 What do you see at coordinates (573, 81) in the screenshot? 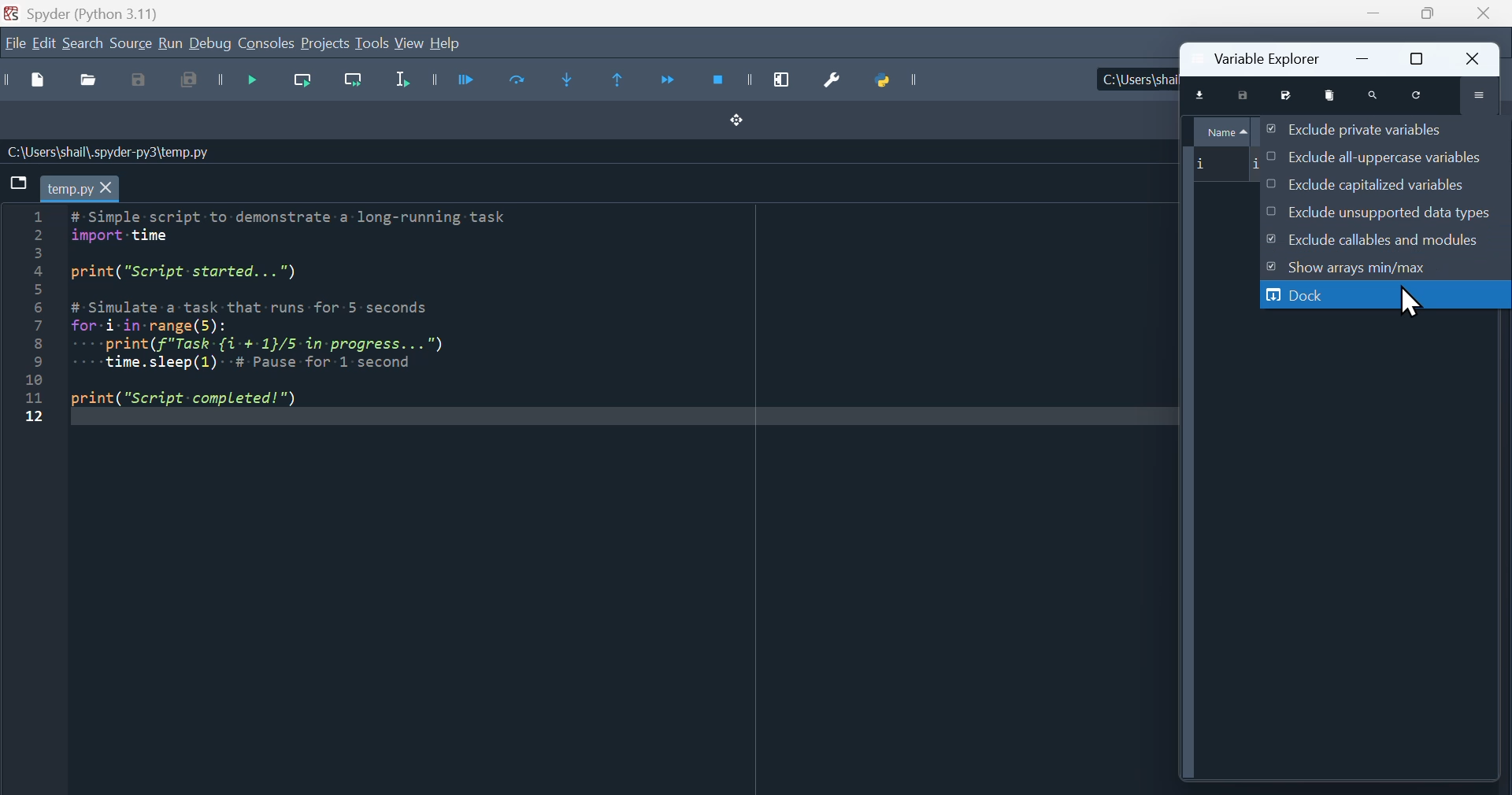
I see `Step into function` at bounding box center [573, 81].